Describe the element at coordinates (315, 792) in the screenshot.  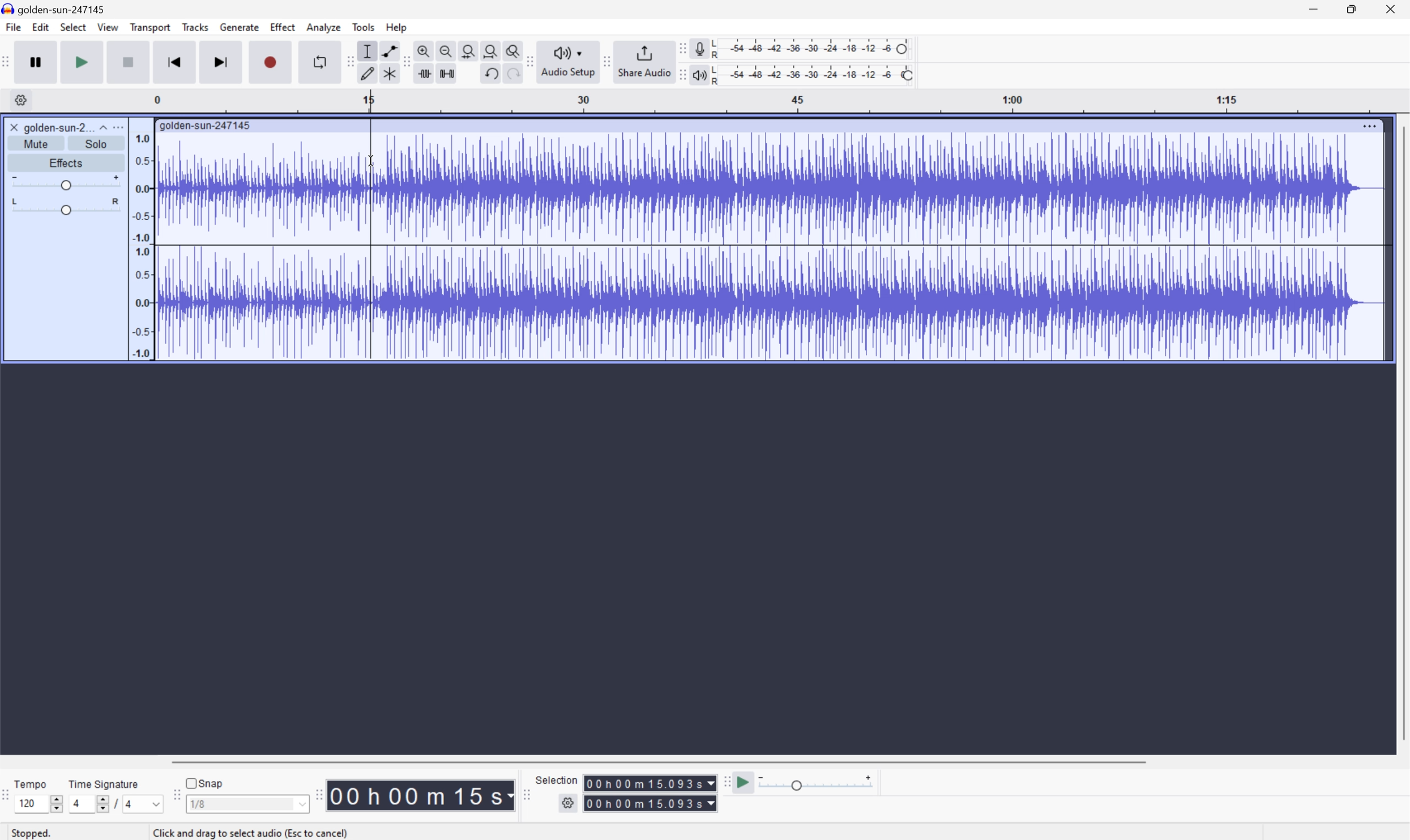
I see `Audacity Time toolbar` at that location.